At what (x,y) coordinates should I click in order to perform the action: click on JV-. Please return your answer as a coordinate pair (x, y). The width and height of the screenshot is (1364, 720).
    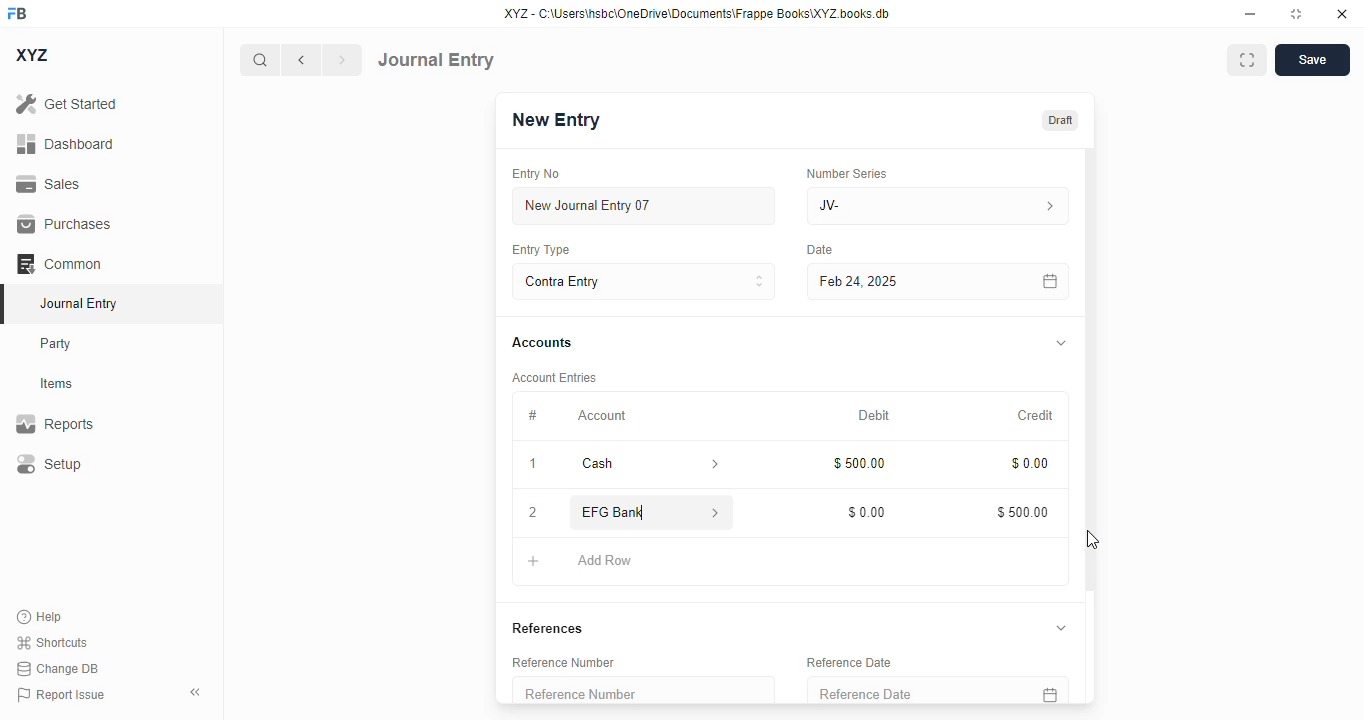
    Looking at the image, I should click on (938, 206).